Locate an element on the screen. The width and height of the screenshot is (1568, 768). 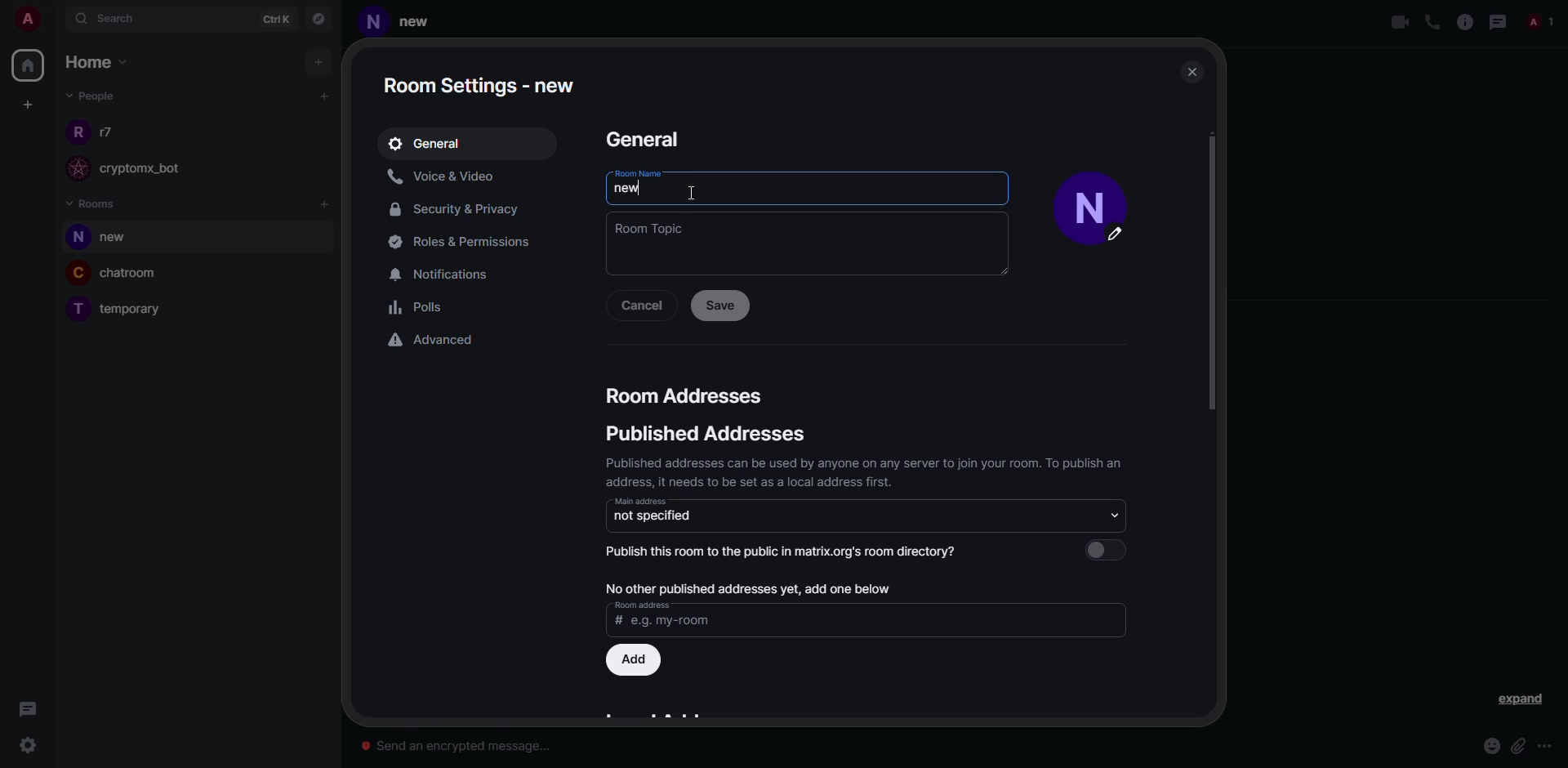
profile image is located at coordinates (74, 168).